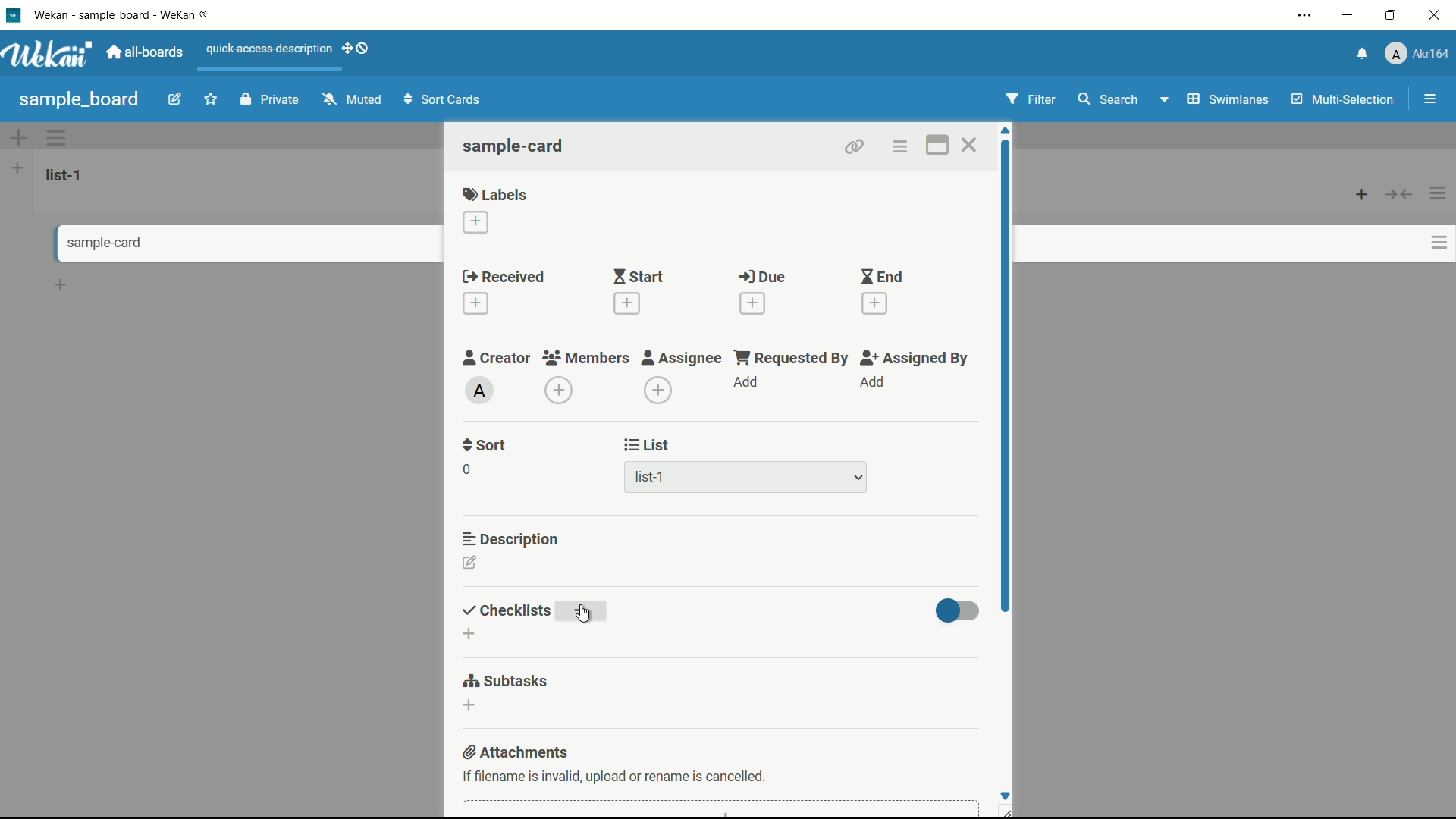 This screenshot has width=1456, height=819. Describe the element at coordinates (958, 610) in the screenshot. I see `toggle button` at that location.